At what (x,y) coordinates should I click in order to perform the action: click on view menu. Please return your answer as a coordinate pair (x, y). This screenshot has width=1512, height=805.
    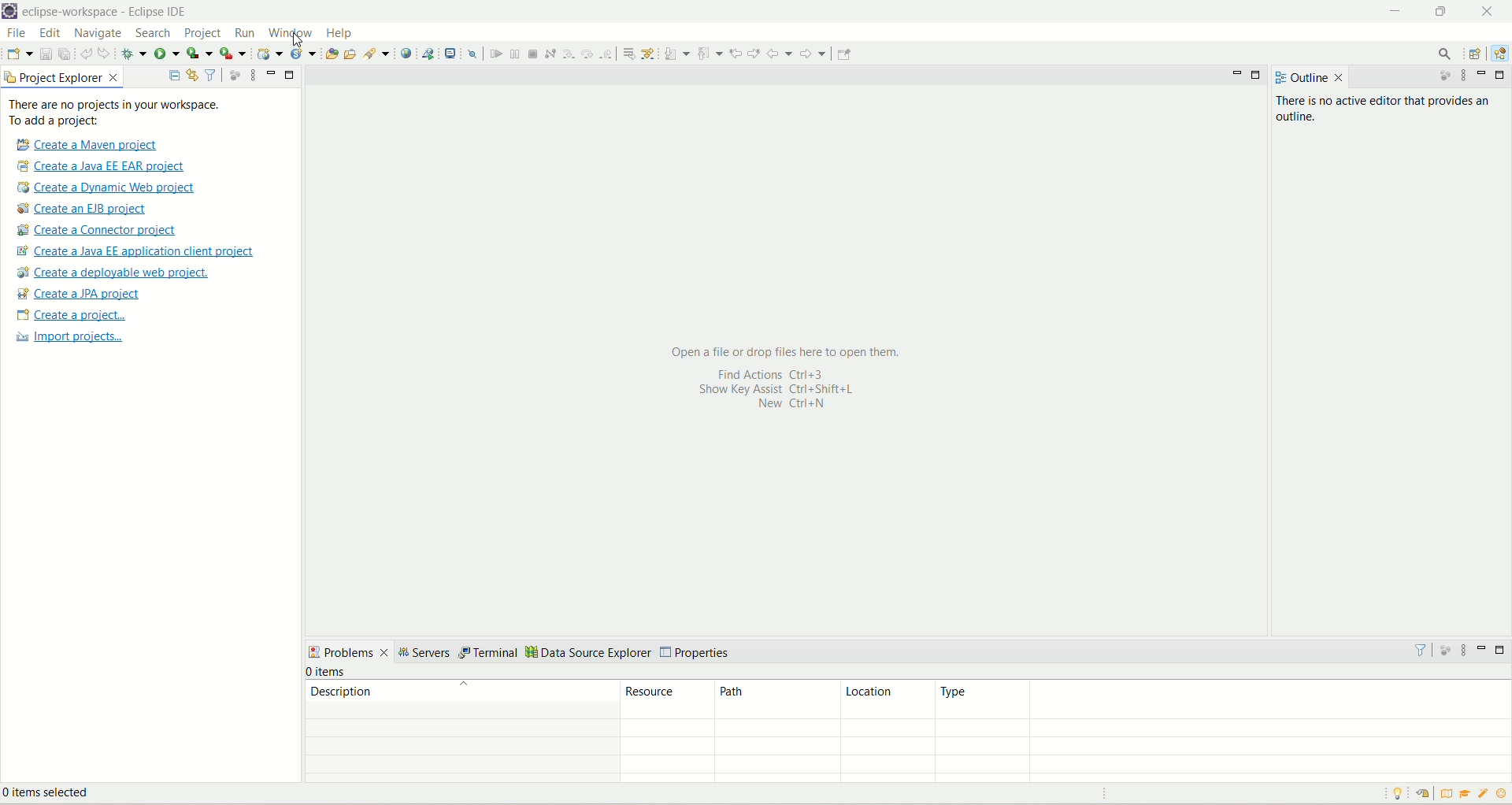
    Looking at the image, I should click on (1463, 650).